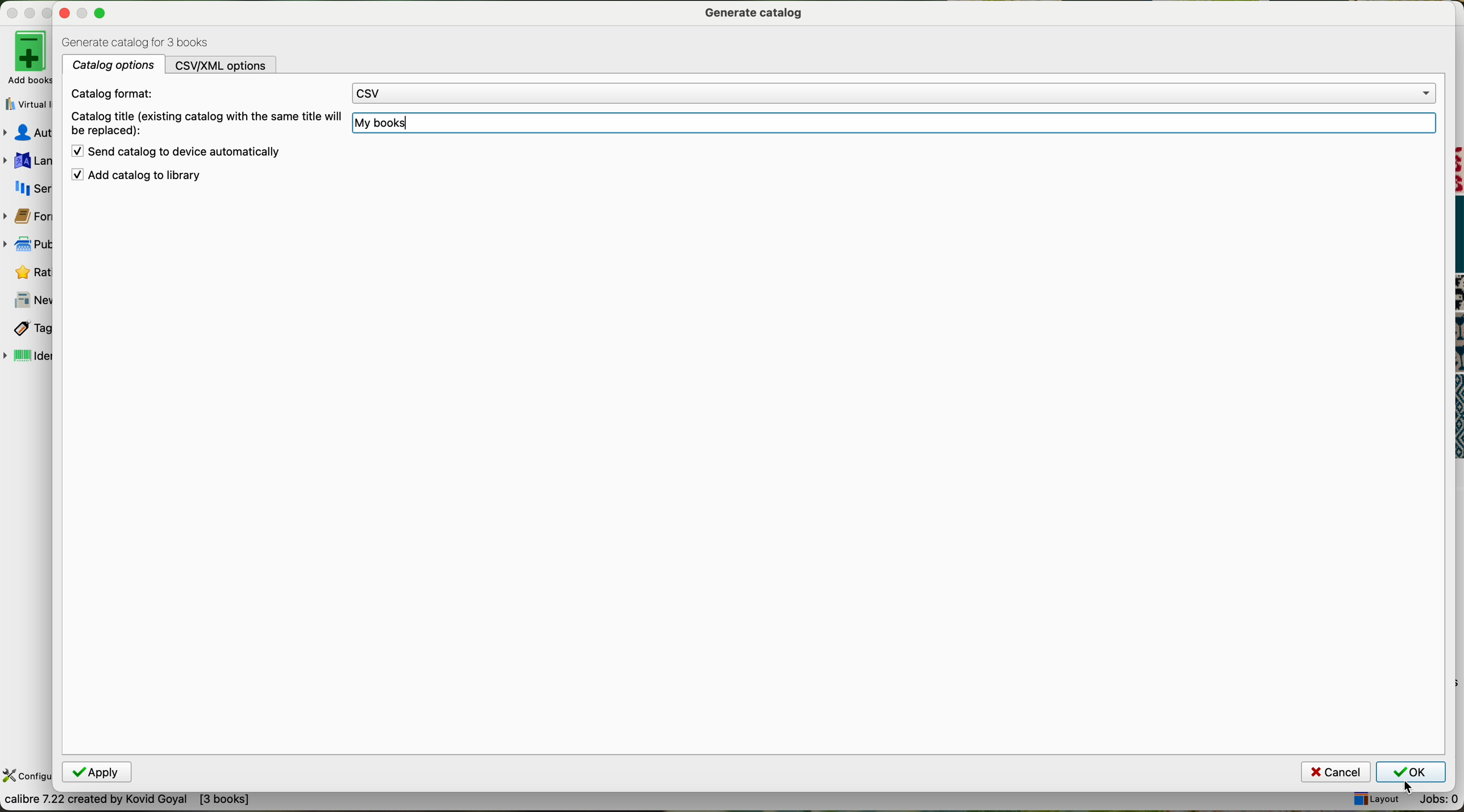 The image size is (1464, 812). I want to click on tags, so click(36, 327).